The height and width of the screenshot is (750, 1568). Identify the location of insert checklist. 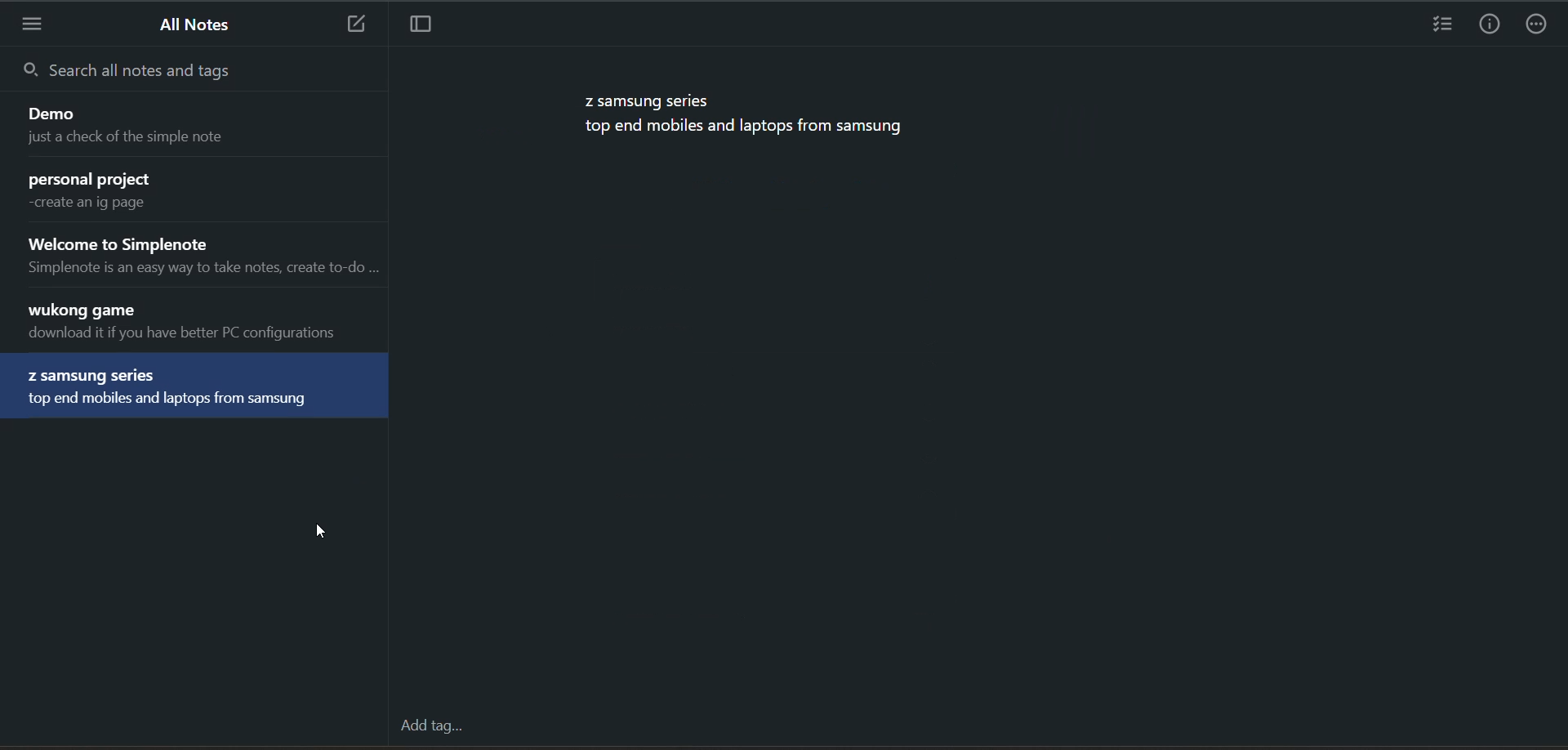
(1440, 25).